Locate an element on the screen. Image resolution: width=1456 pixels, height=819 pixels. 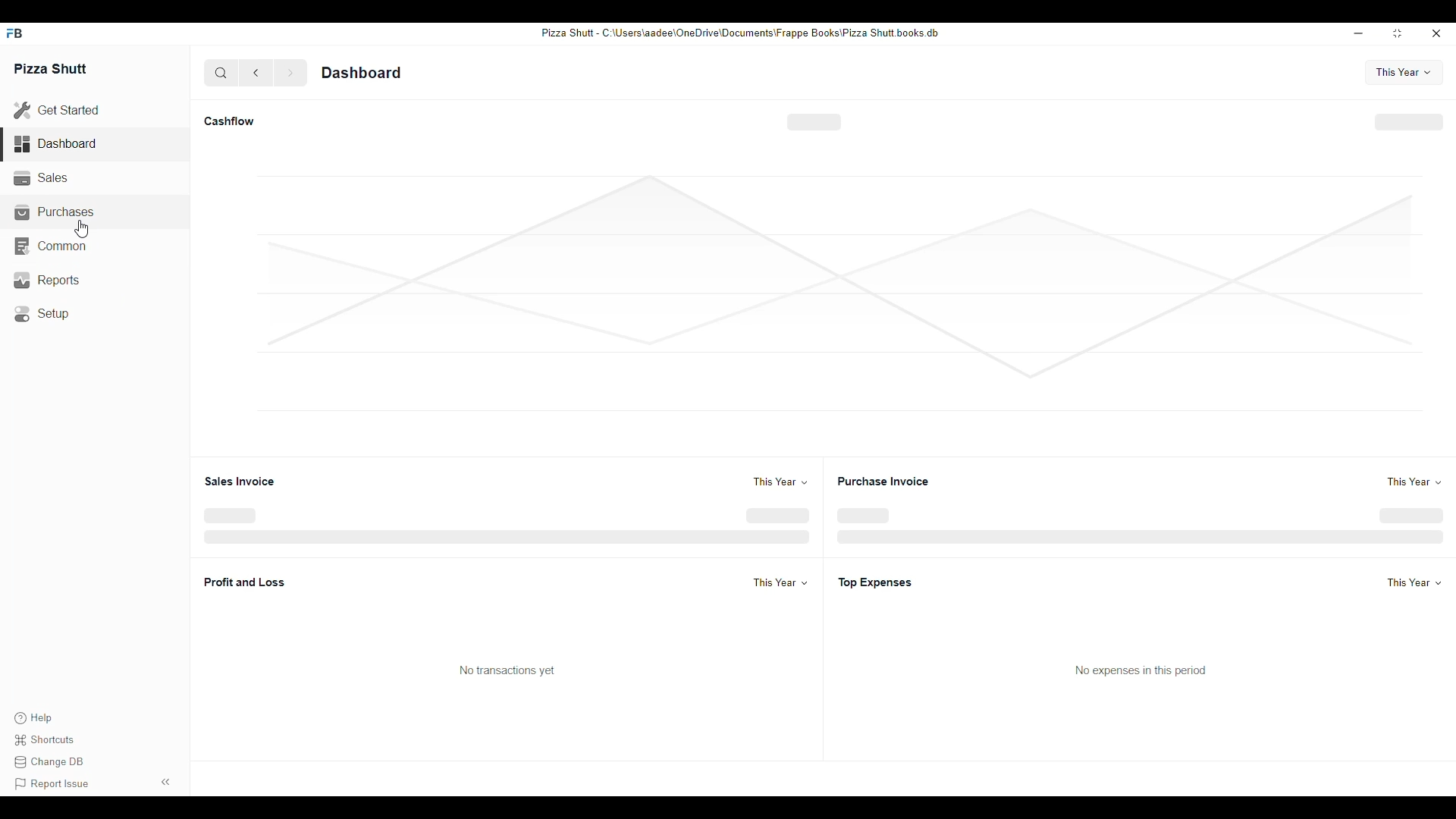
No expenses in this period is located at coordinates (1140, 670).